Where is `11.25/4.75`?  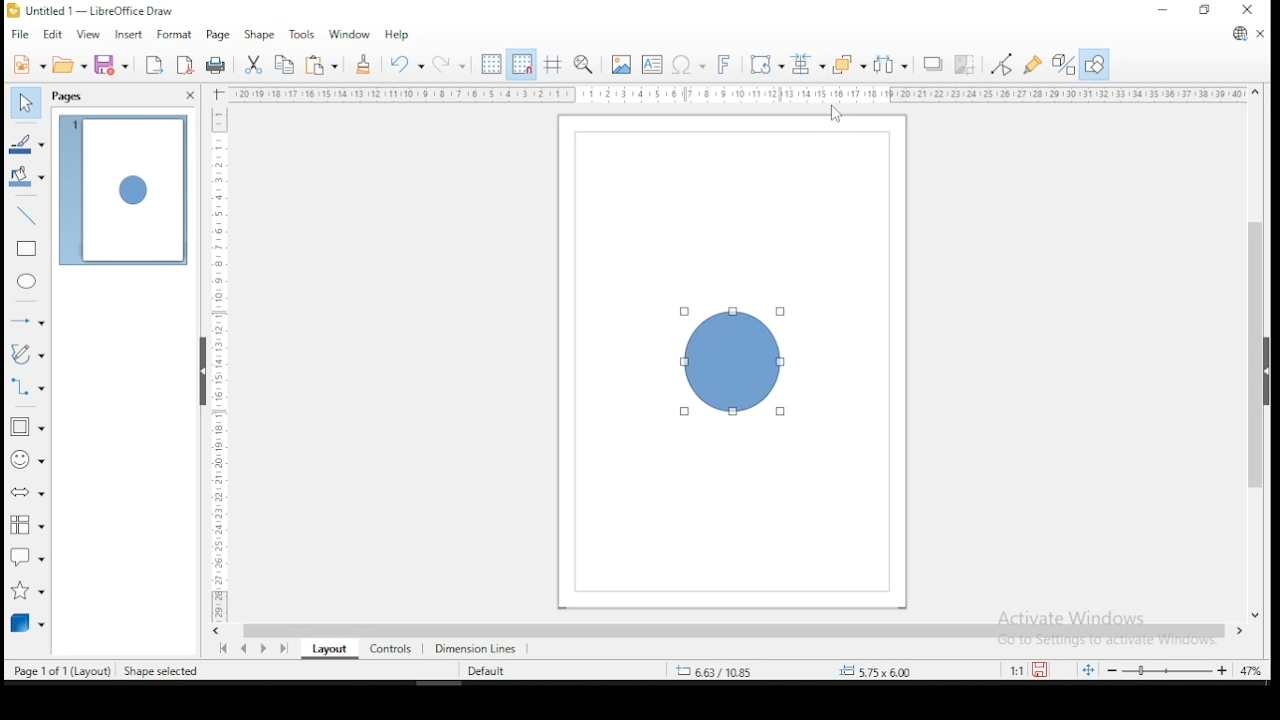
11.25/4.75 is located at coordinates (719, 670).